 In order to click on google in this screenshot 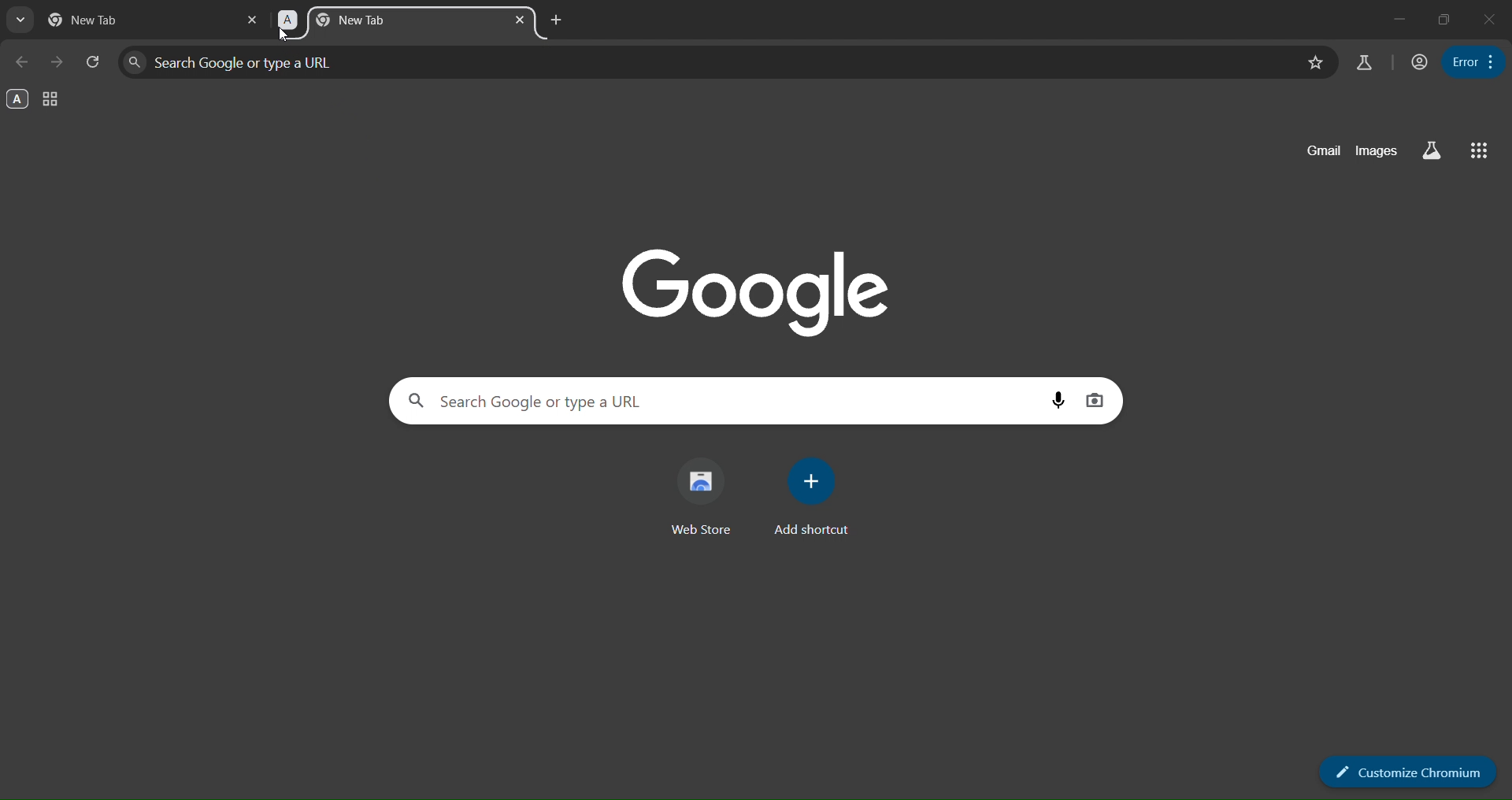, I will do `click(764, 287)`.